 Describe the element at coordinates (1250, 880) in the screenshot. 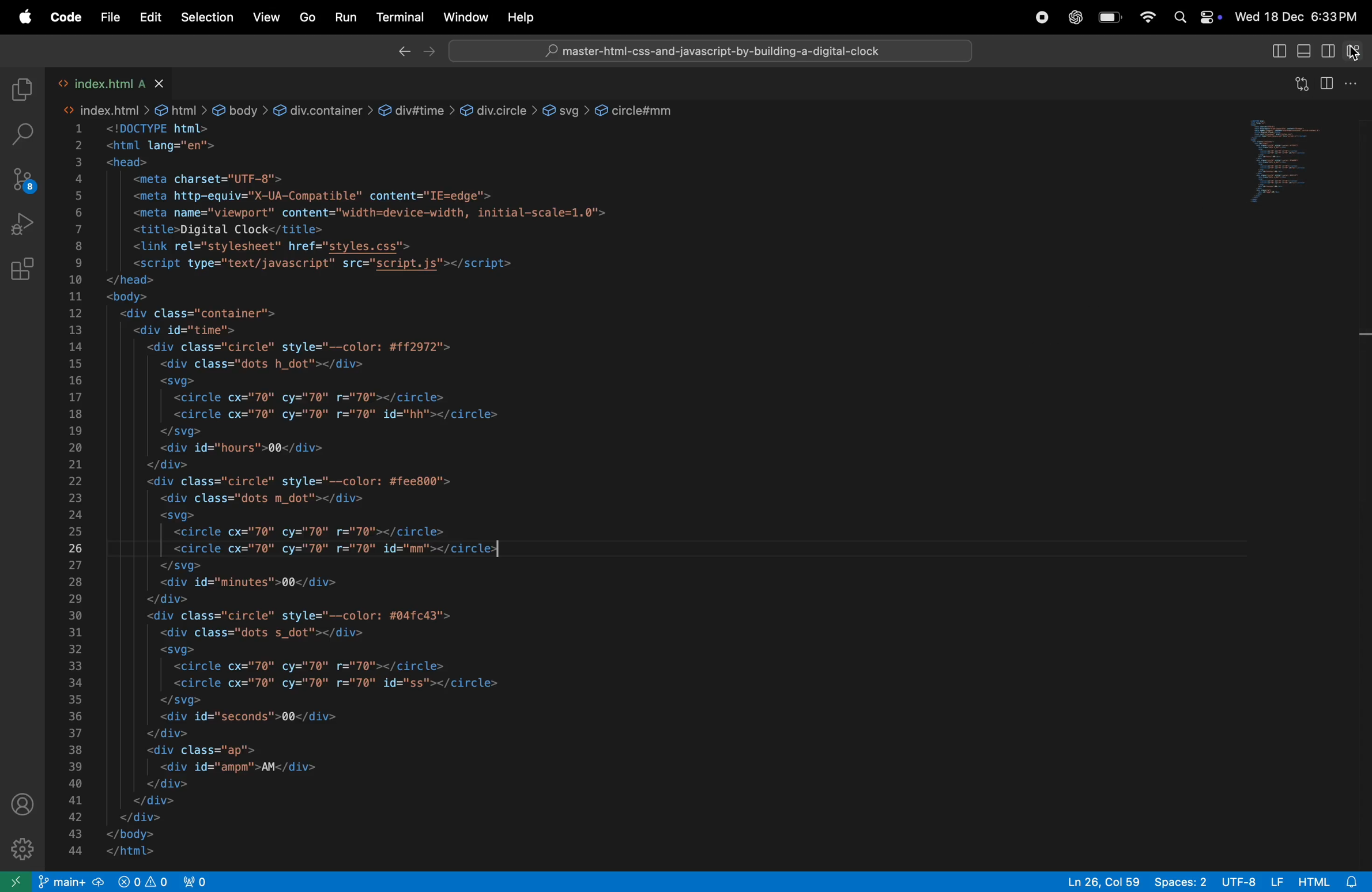

I see `utf -8 lf` at that location.